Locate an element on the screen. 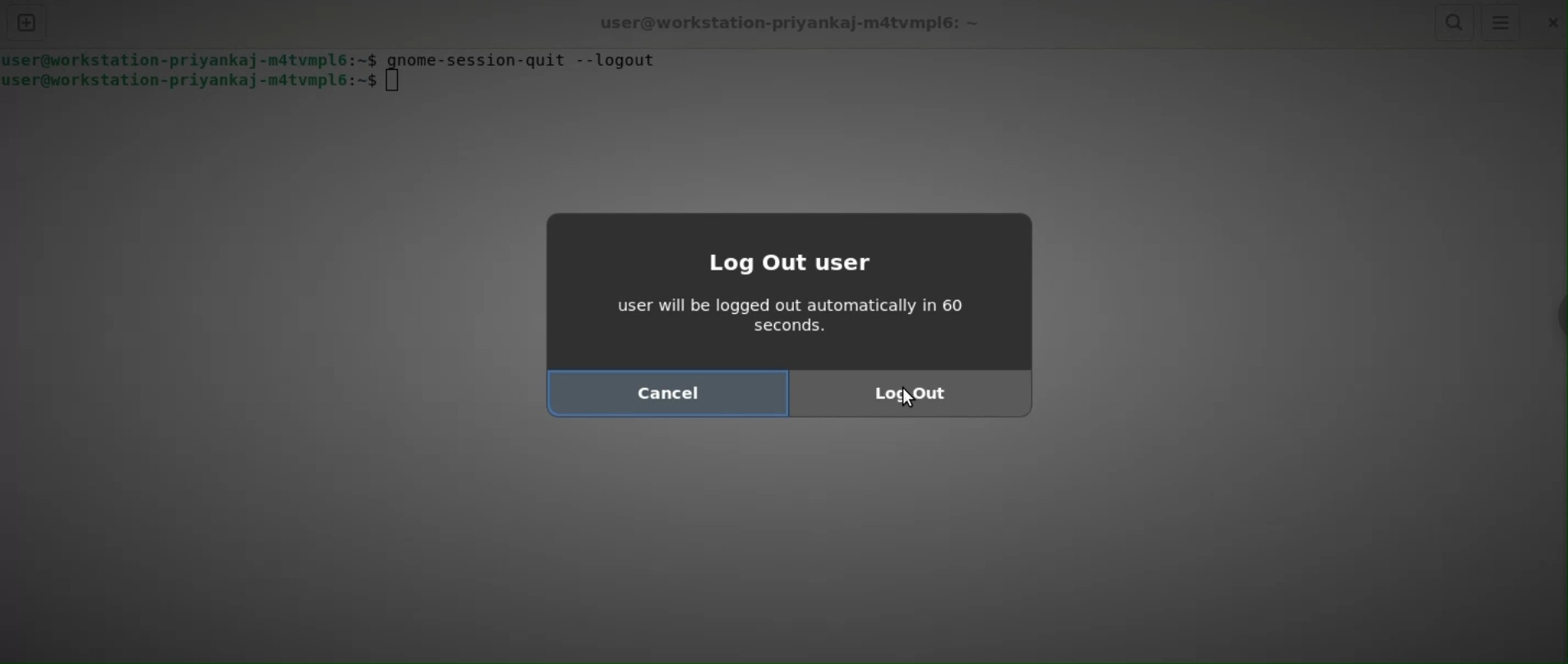  cursor is located at coordinates (910, 399).